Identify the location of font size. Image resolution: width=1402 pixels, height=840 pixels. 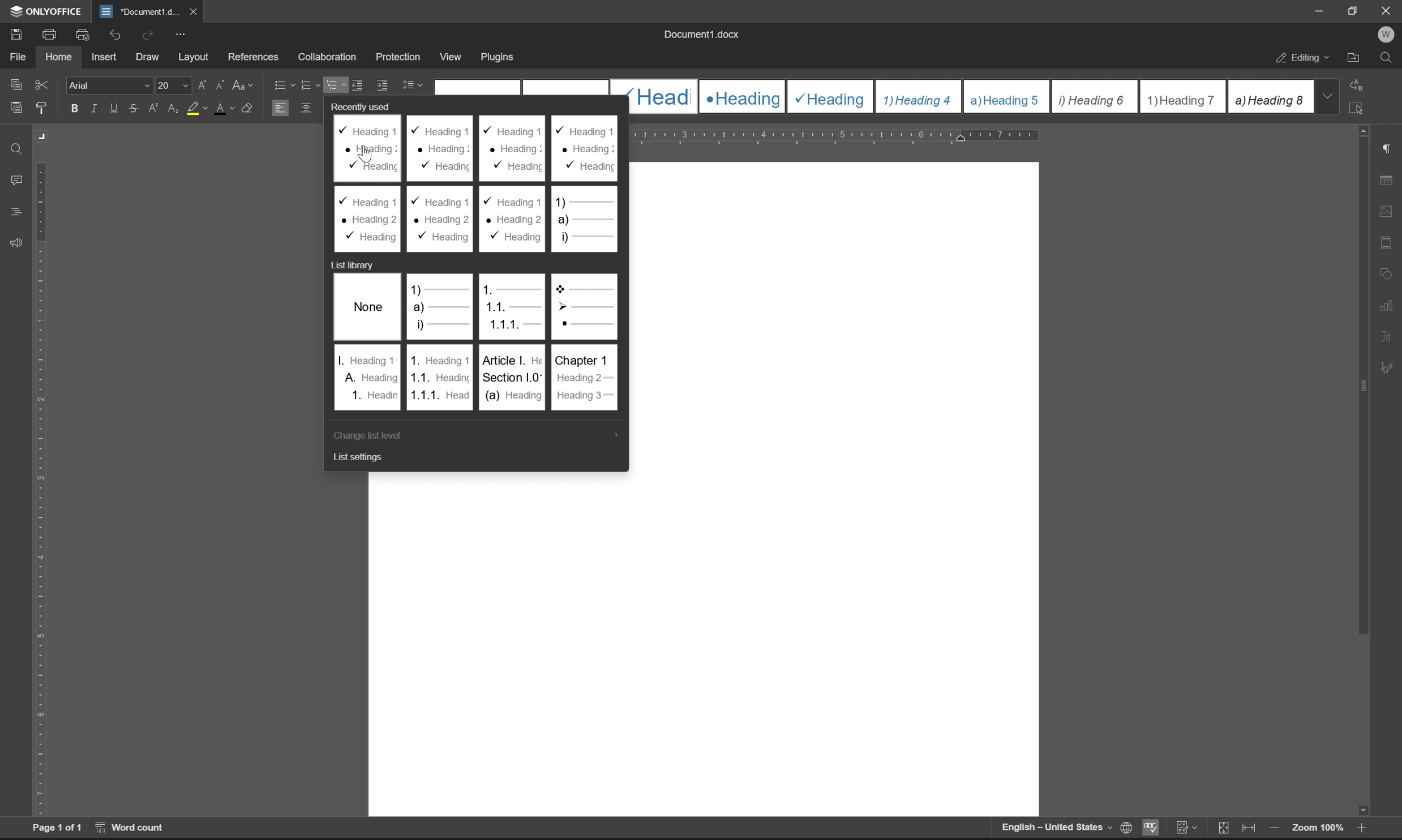
(171, 84).